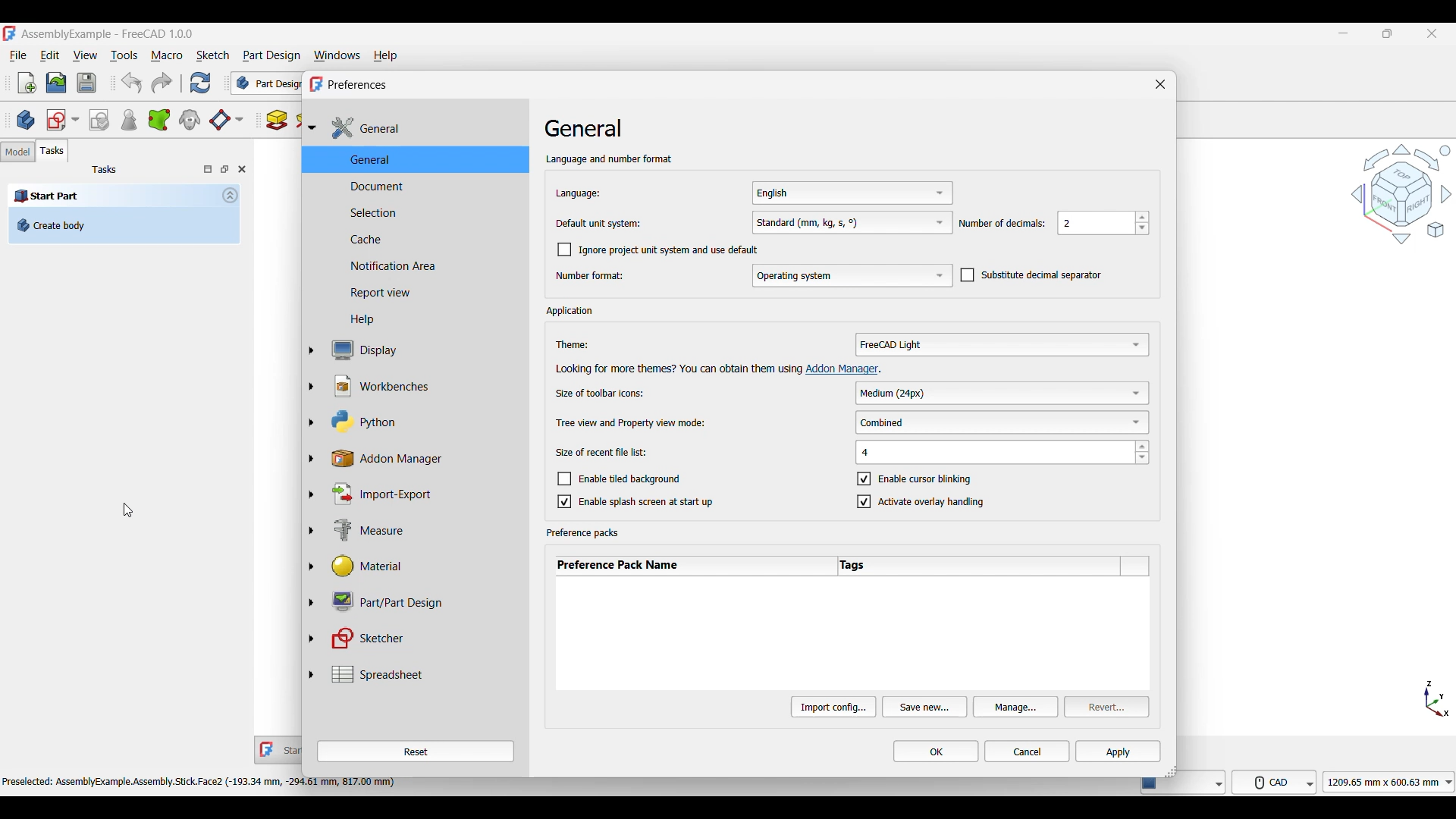  I want to click on Help, so click(419, 320).